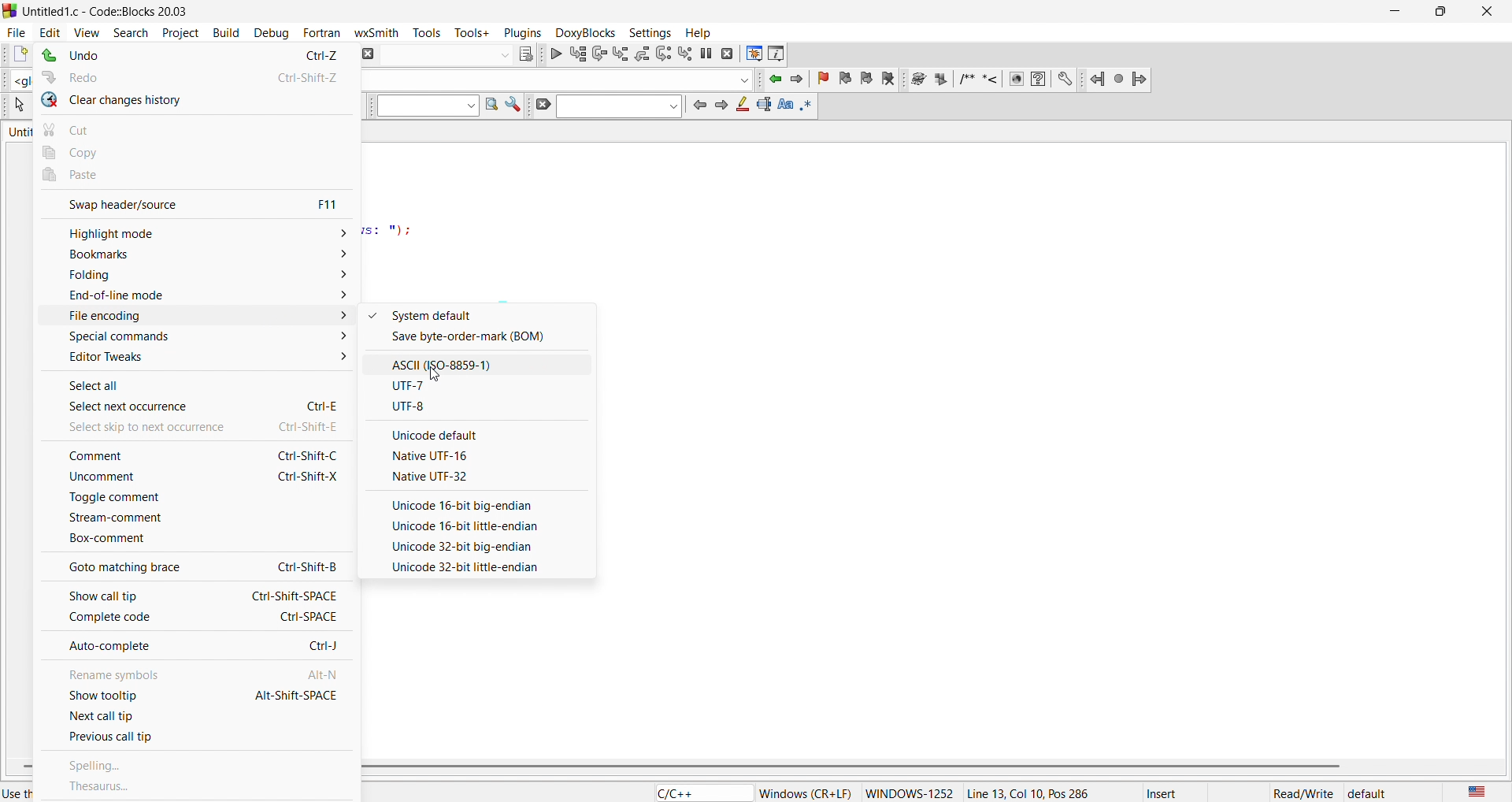  I want to click on toggle comment, so click(192, 503).